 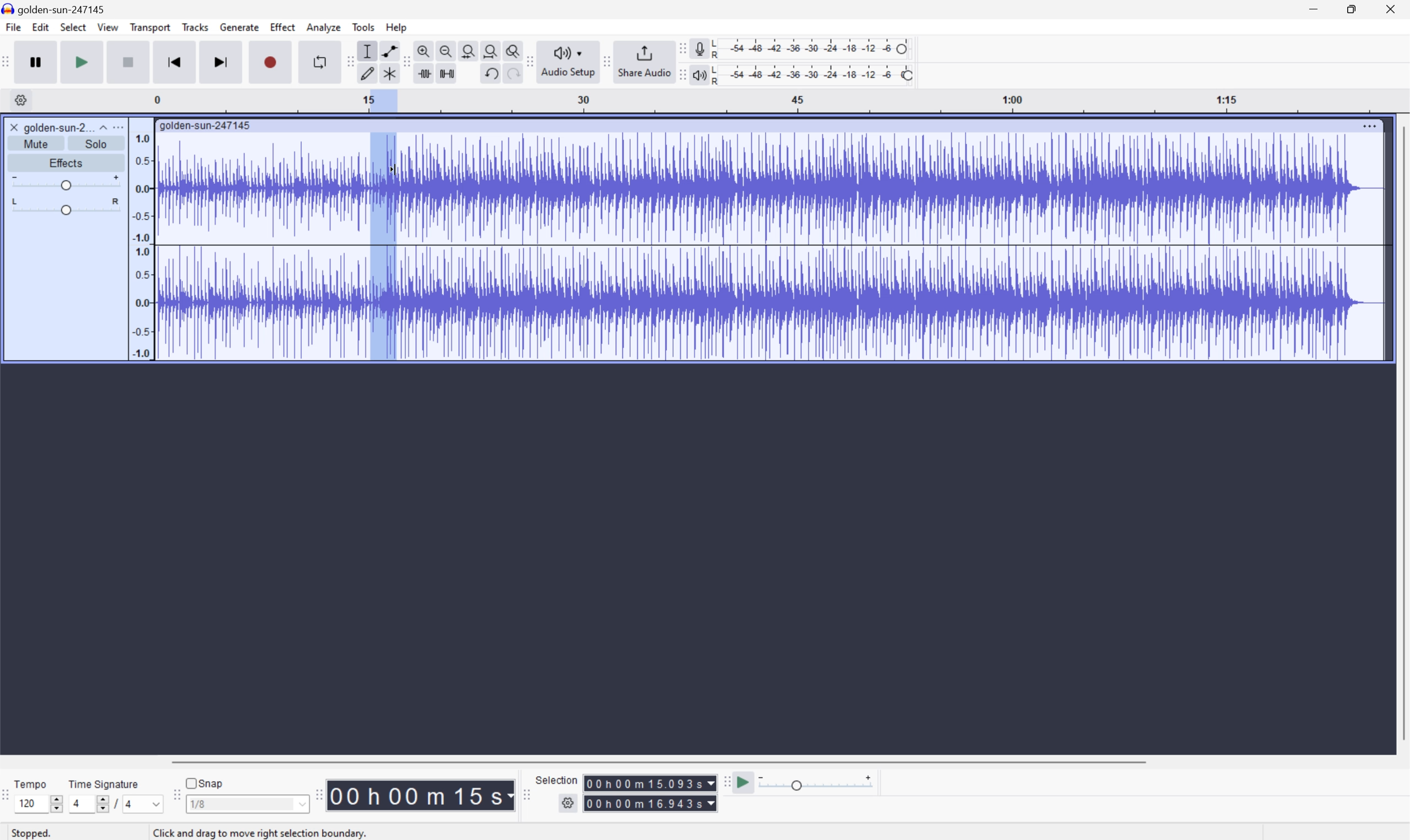 I want to click on 1/8, so click(x=198, y=803).